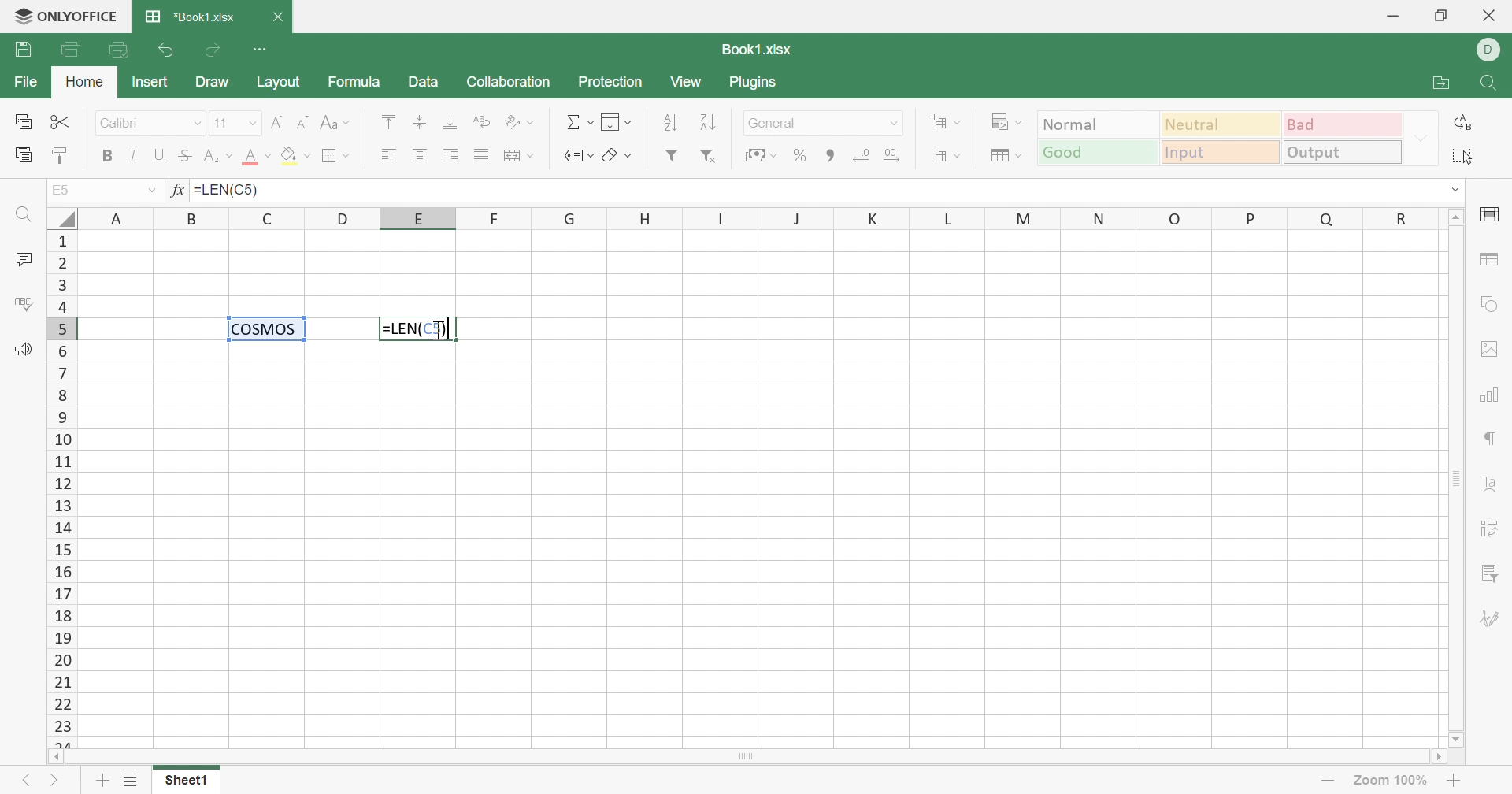  I want to click on Align top, so click(392, 123).